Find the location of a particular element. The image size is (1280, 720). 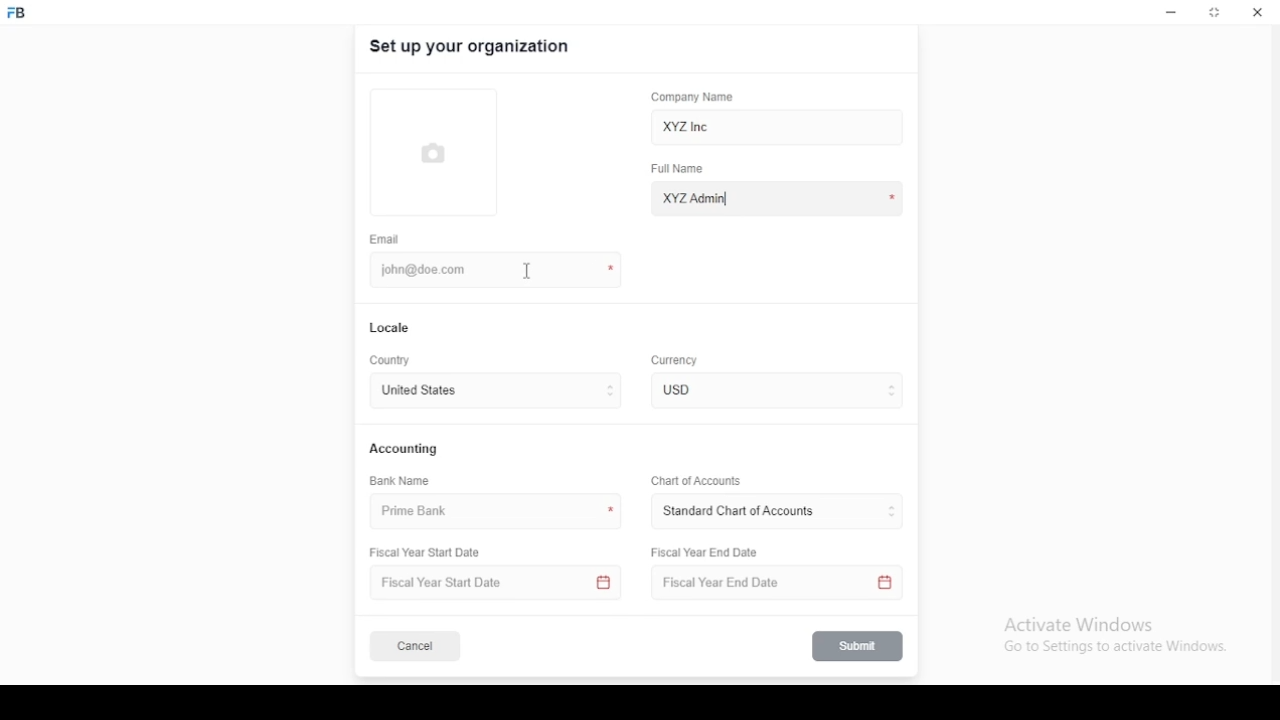

Fiscal Year Start Date is located at coordinates (432, 553).